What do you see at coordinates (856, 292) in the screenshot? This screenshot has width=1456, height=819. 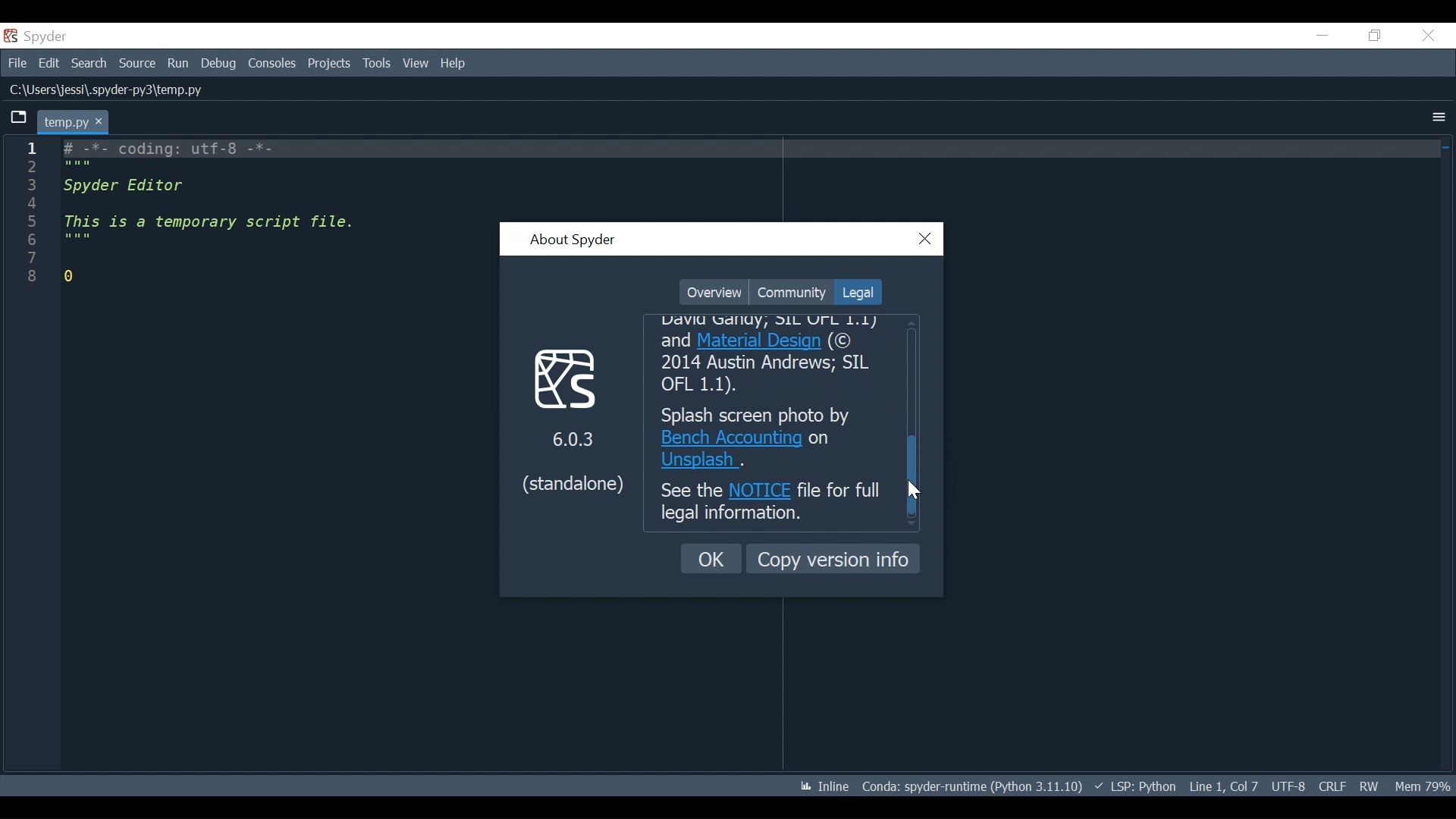 I see `Legal` at bounding box center [856, 292].